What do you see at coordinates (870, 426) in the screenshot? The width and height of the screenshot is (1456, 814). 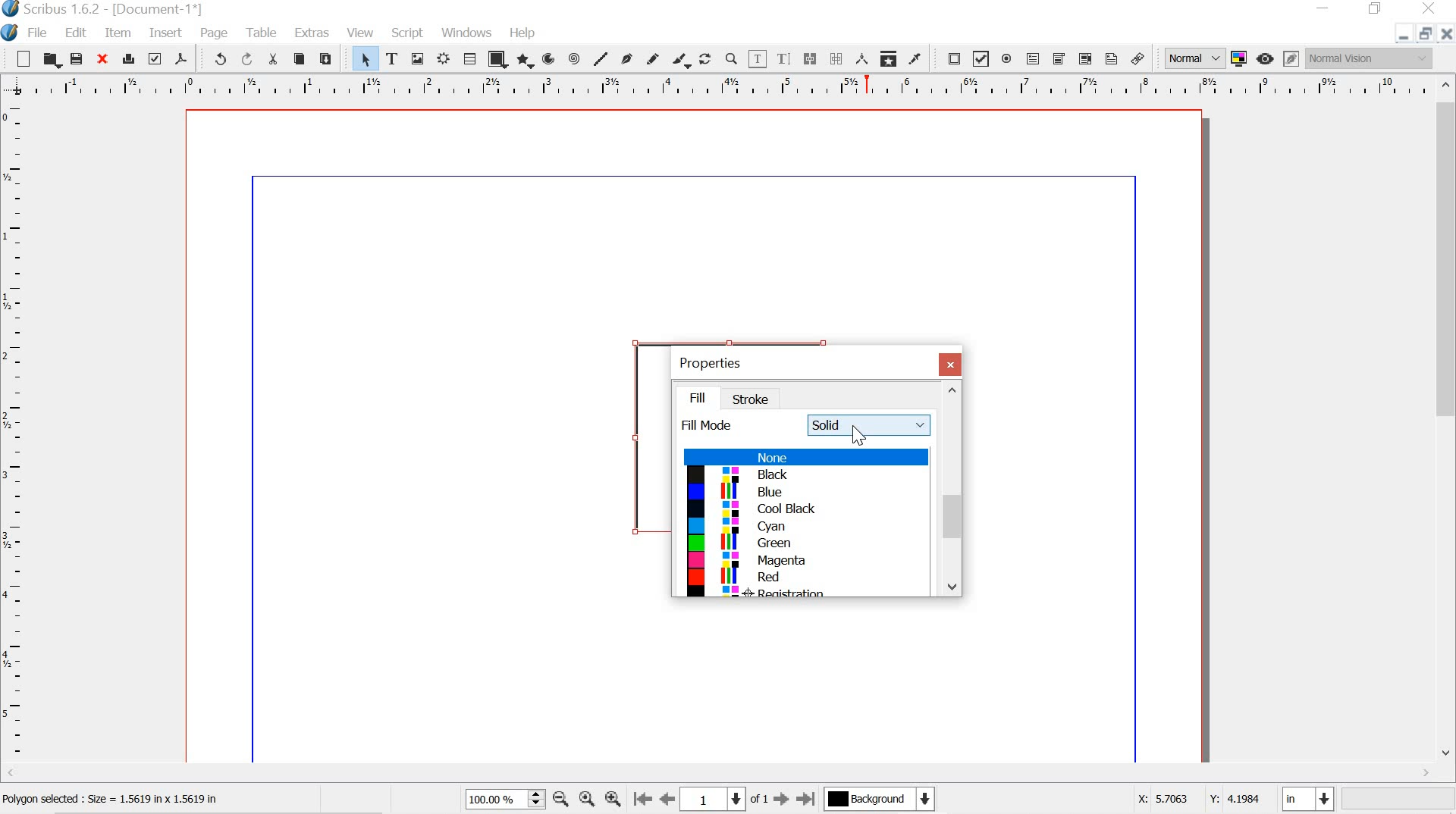 I see `solid` at bounding box center [870, 426].